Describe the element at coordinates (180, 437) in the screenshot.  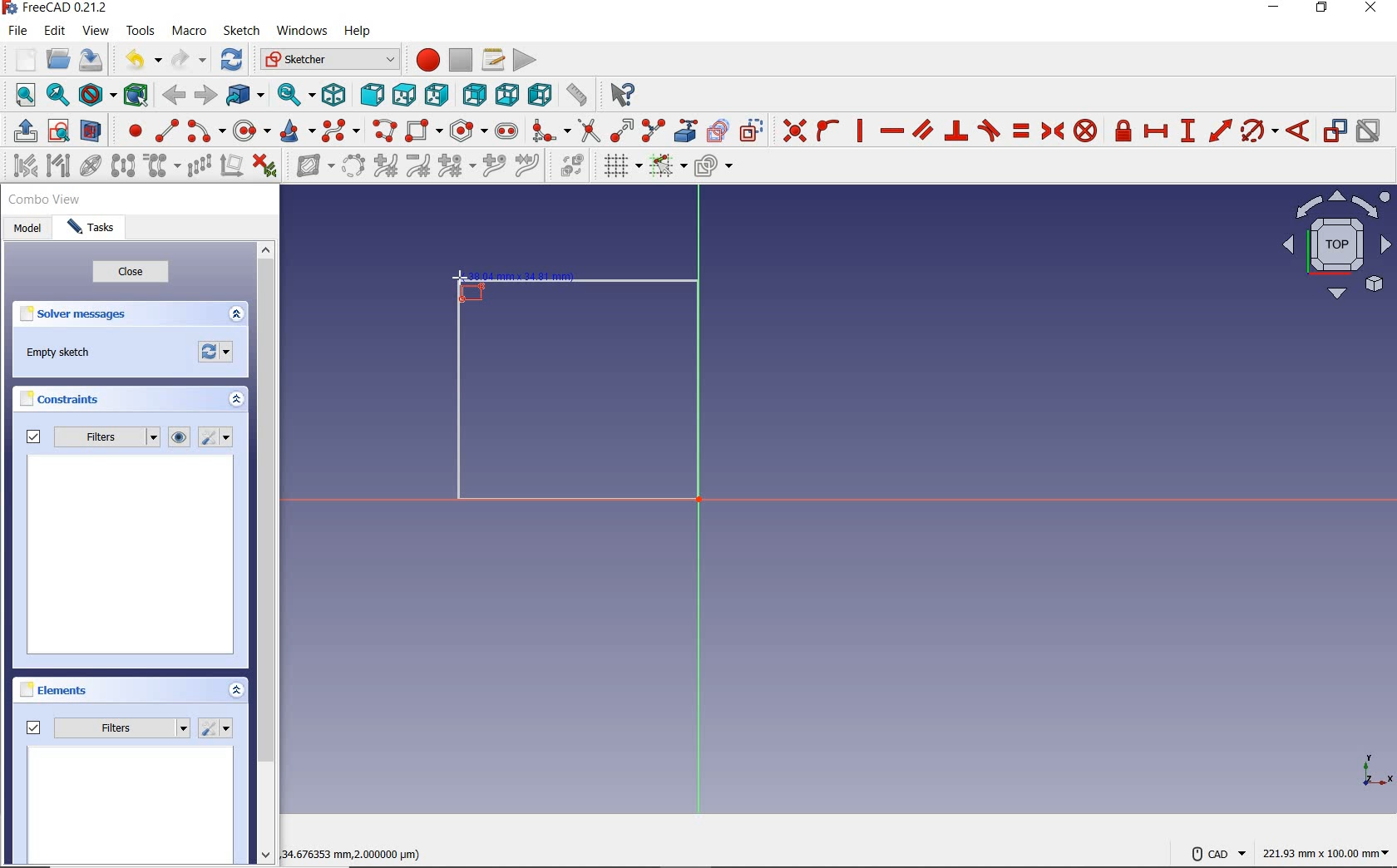
I see `show/hide all listed constraints from3D view` at that location.